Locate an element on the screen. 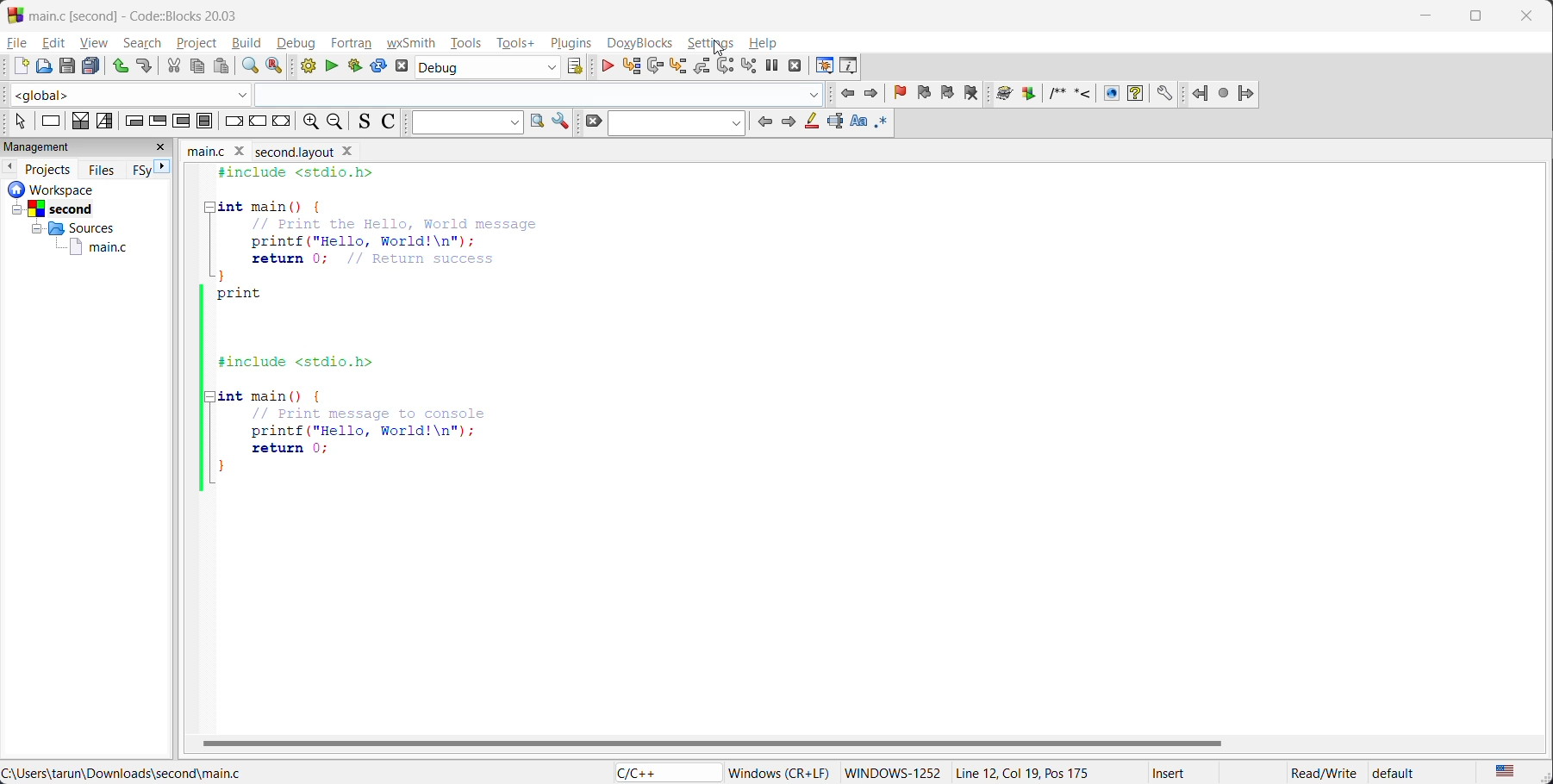 This screenshot has height=784, width=1553. copy is located at coordinates (196, 64).